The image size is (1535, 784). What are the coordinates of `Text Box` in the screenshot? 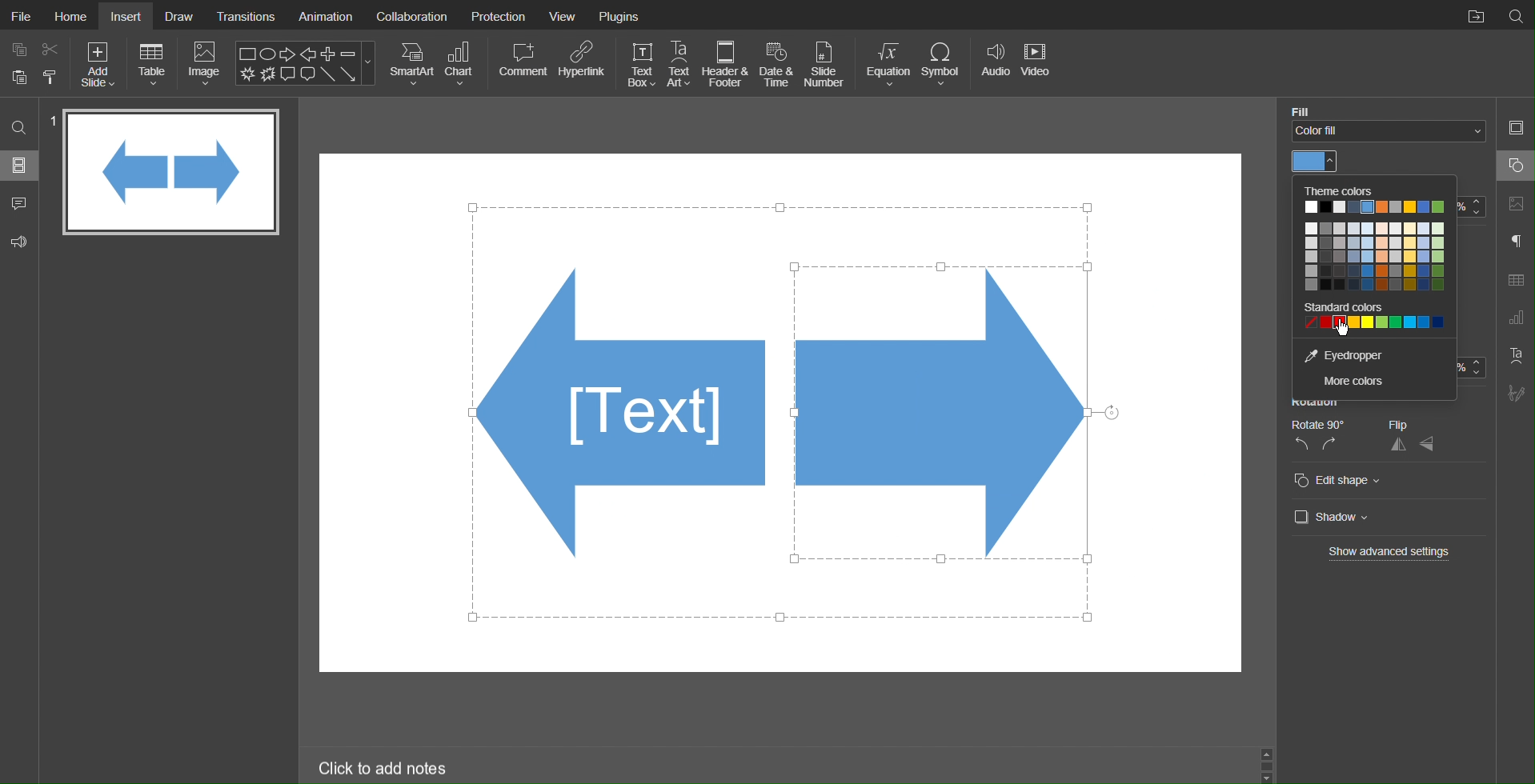 It's located at (641, 64).